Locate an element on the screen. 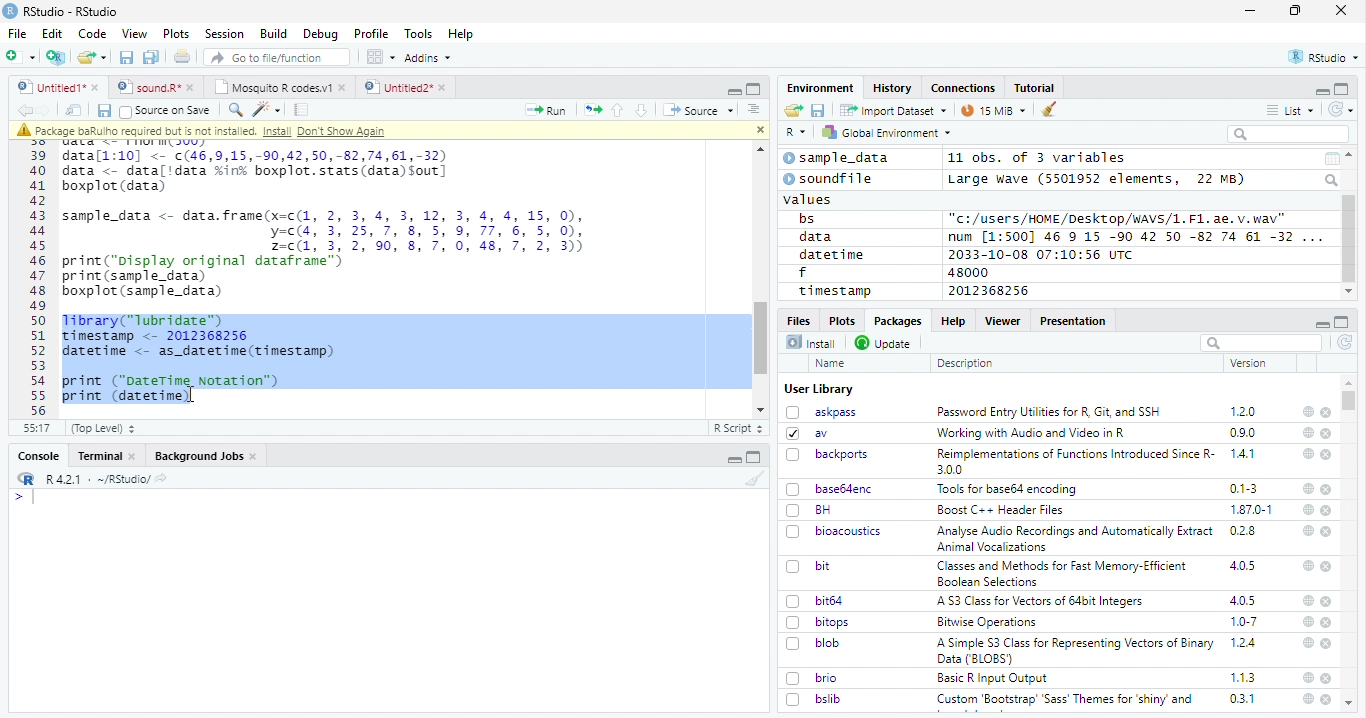 The image size is (1366, 718). List is located at coordinates (1291, 111).